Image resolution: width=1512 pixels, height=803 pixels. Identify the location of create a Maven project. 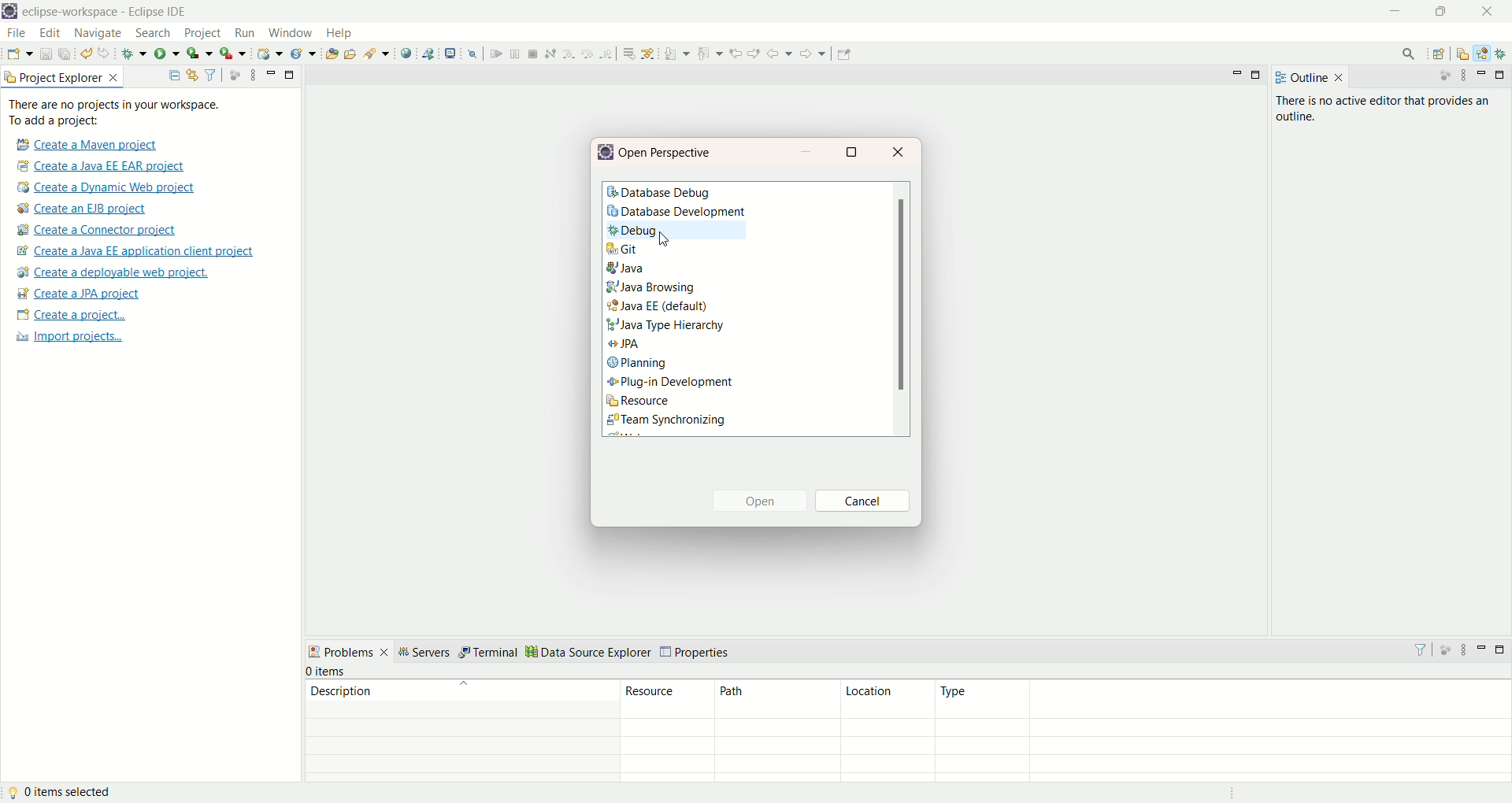
(82, 143).